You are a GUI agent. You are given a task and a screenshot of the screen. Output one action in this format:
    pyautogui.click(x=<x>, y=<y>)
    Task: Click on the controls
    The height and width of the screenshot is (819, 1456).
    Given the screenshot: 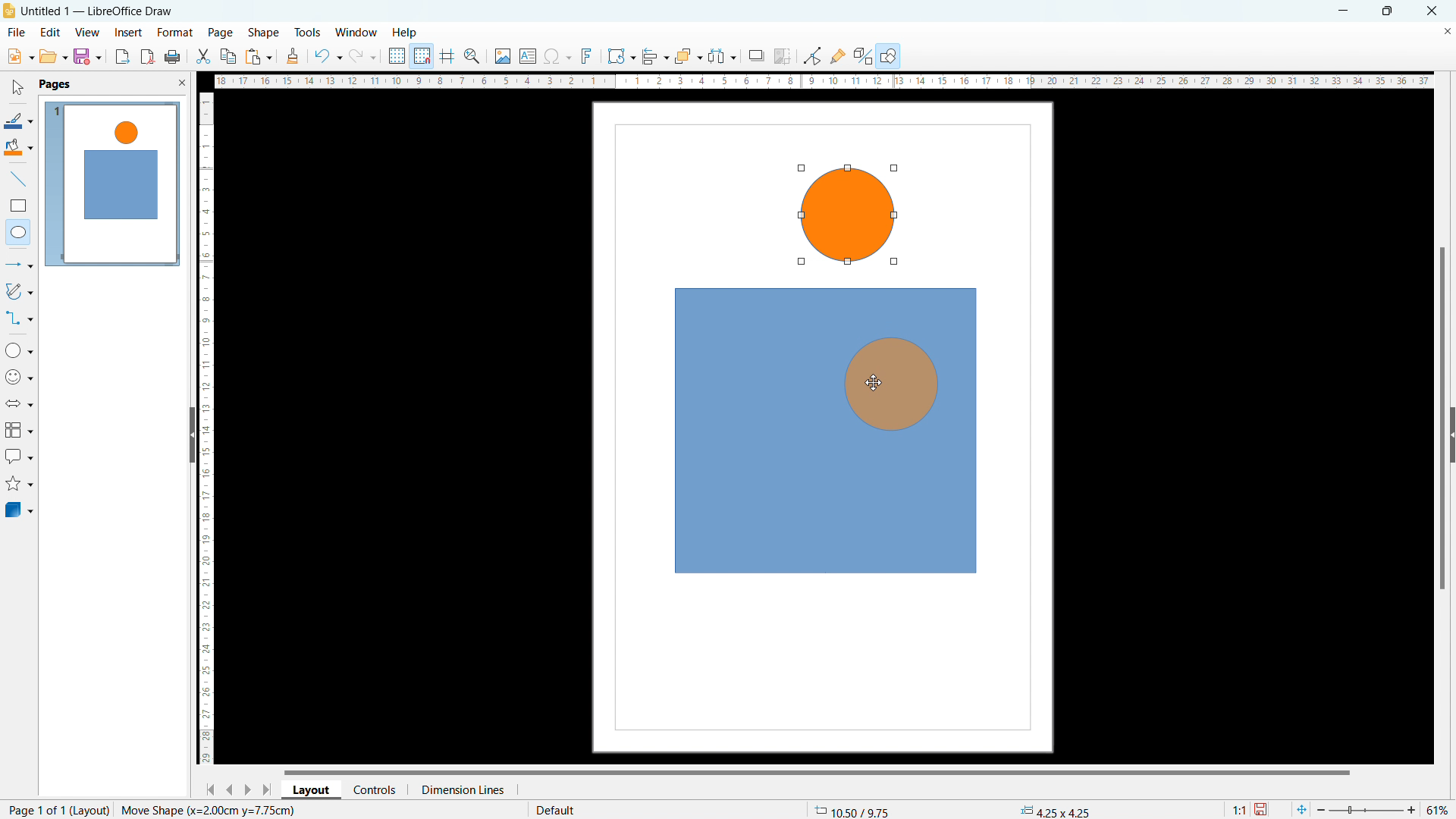 What is the action you would take?
    pyautogui.click(x=376, y=789)
    